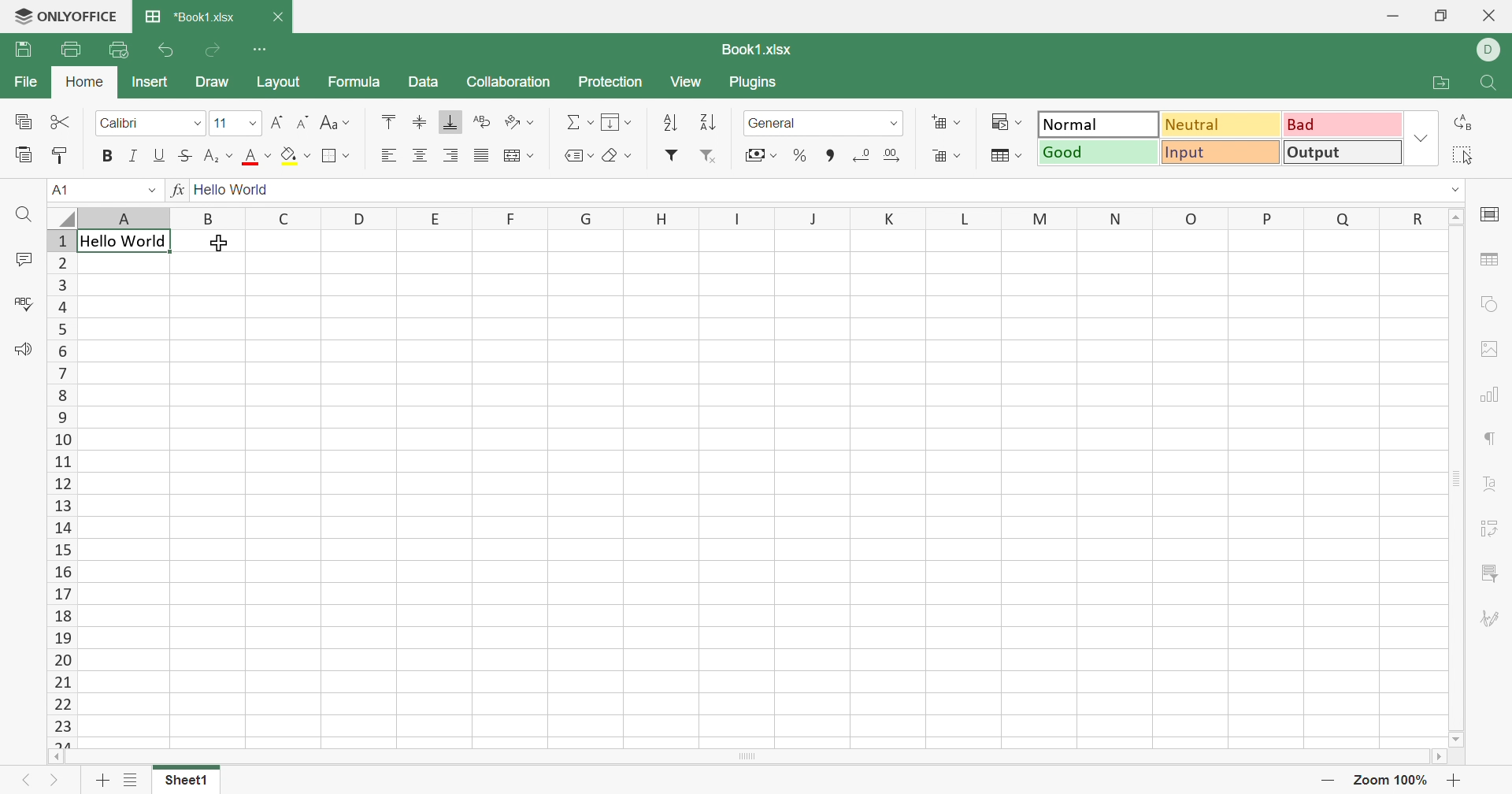 The image size is (1512, 794). What do you see at coordinates (336, 158) in the screenshot?
I see `Borders` at bounding box center [336, 158].